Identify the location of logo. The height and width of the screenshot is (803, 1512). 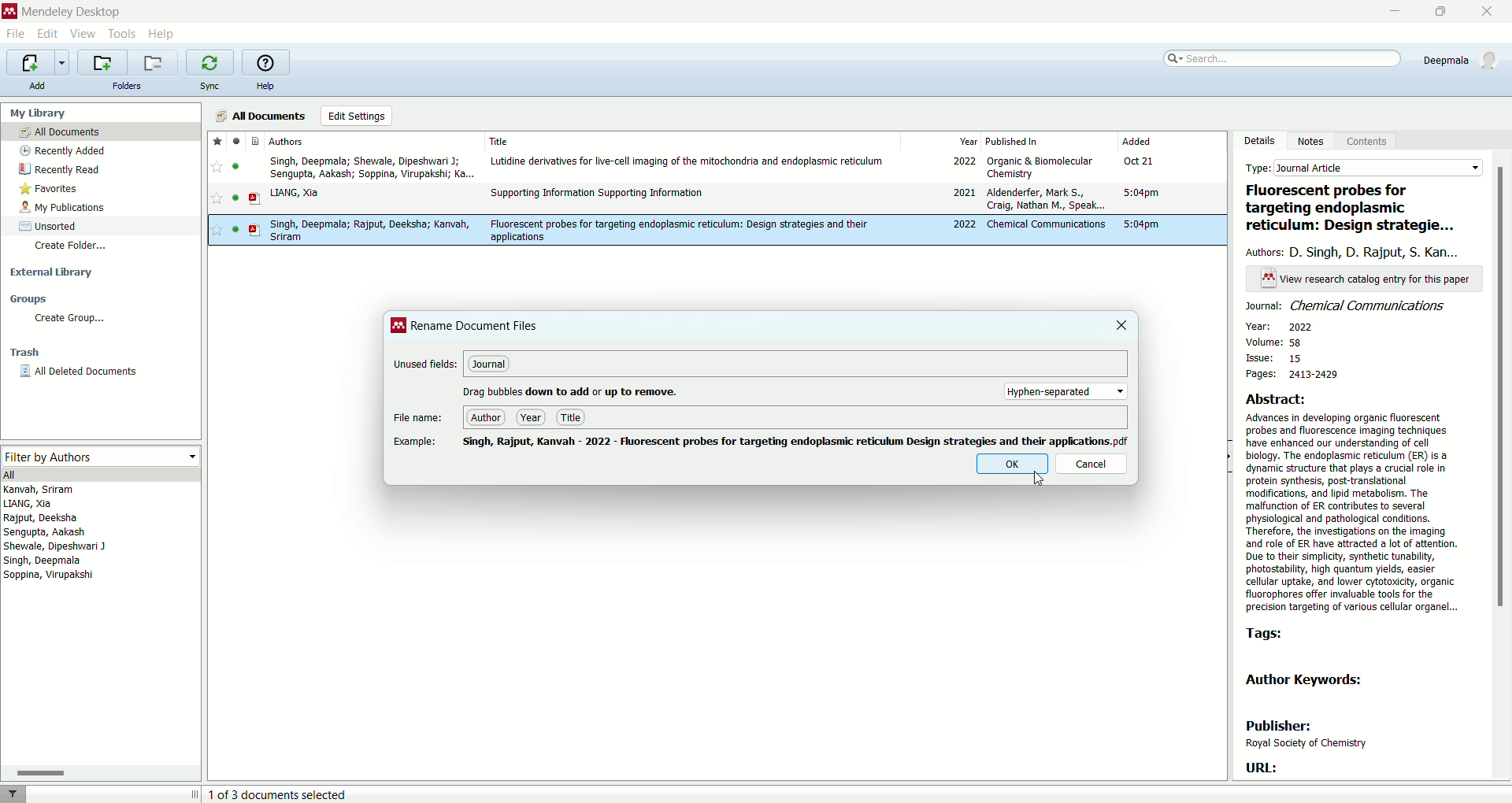
(9, 10).